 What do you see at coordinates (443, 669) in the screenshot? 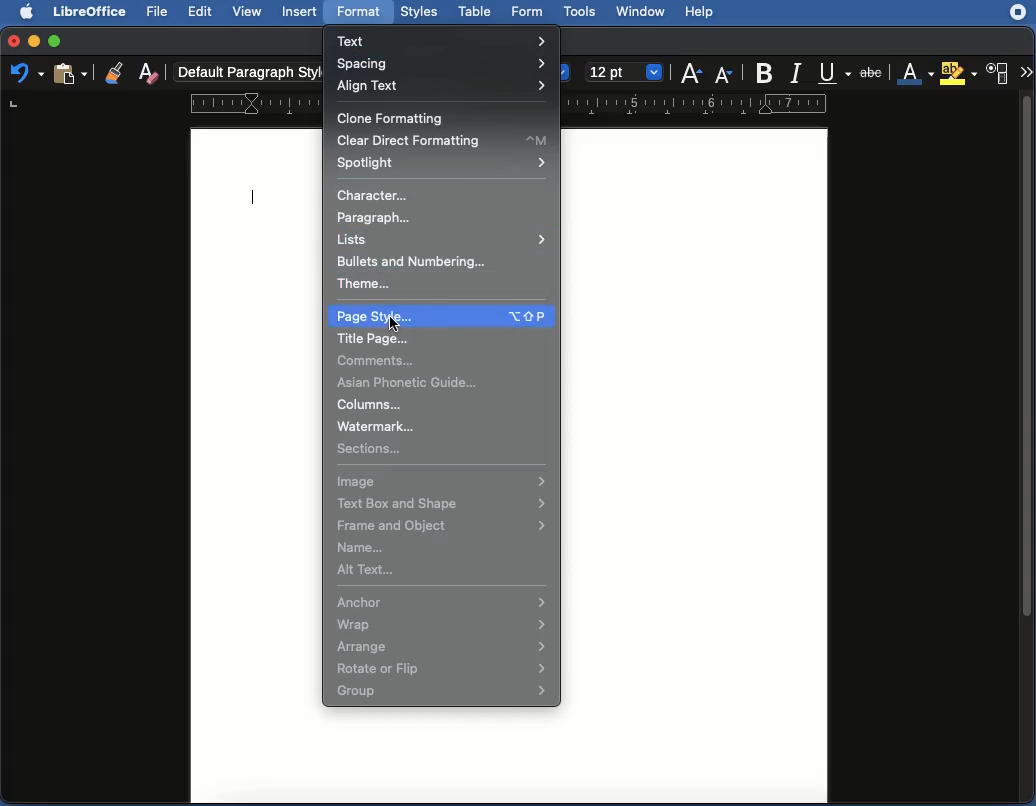
I see `Rotate or flip` at bounding box center [443, 669].